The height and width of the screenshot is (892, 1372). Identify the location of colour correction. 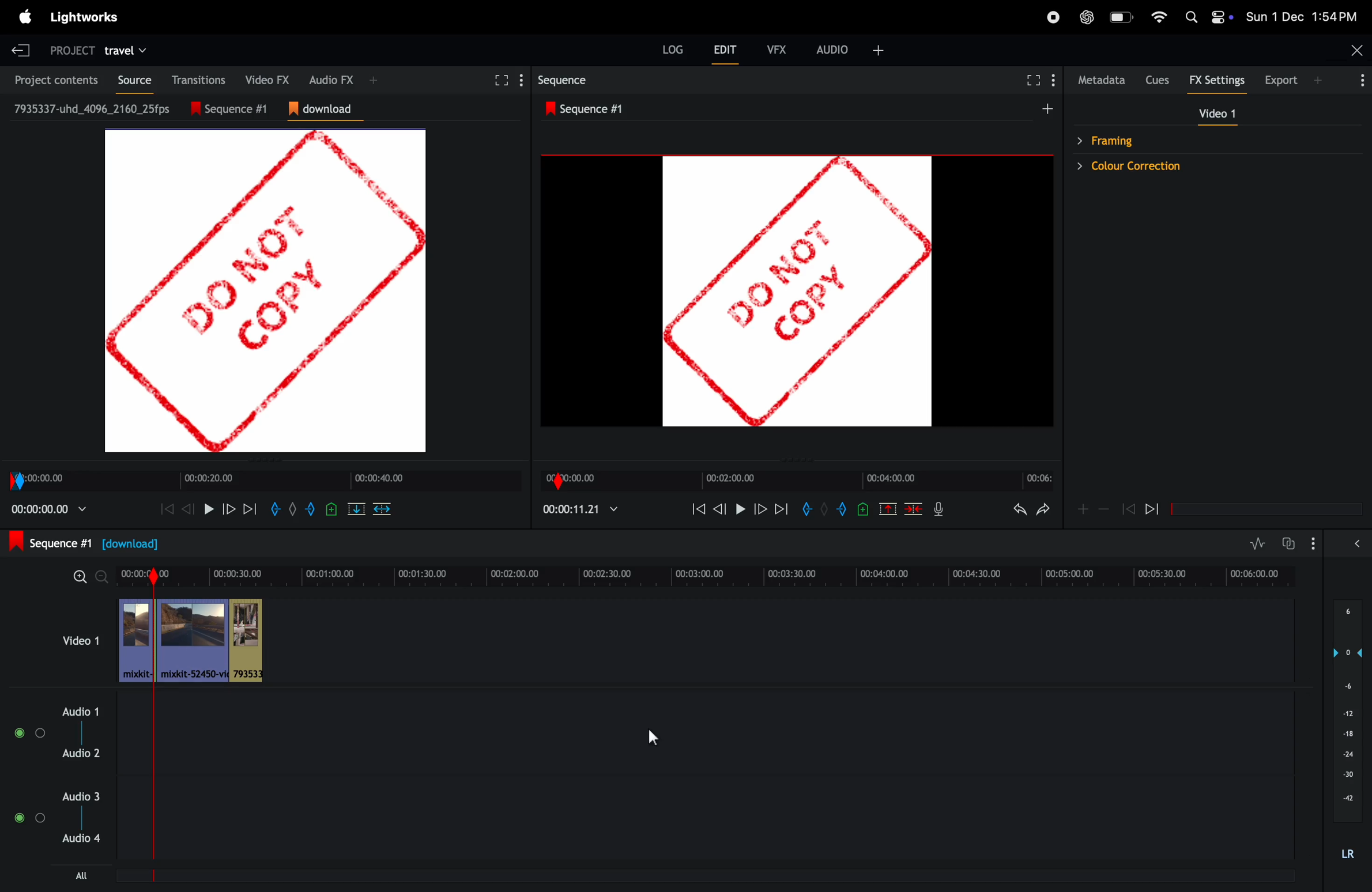
(1209, 166).